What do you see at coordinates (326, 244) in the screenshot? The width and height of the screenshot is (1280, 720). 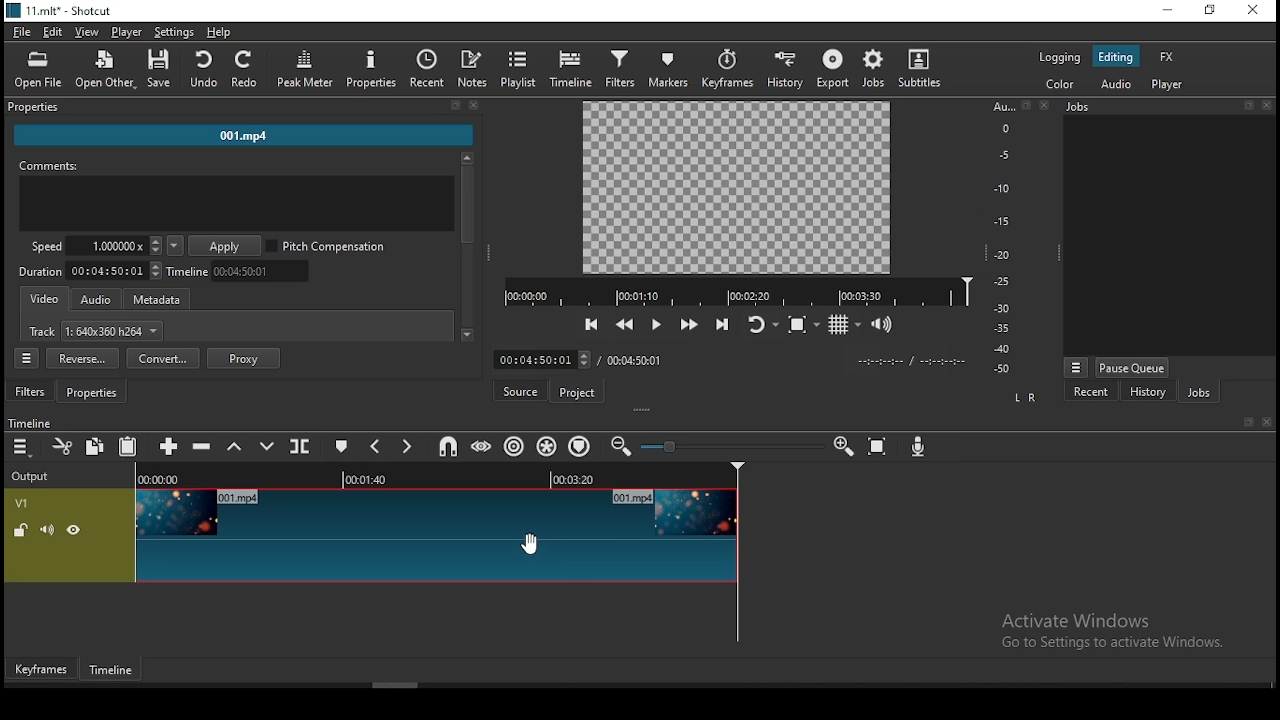 I see `pitch compensation` at bounding box center [326, 244].